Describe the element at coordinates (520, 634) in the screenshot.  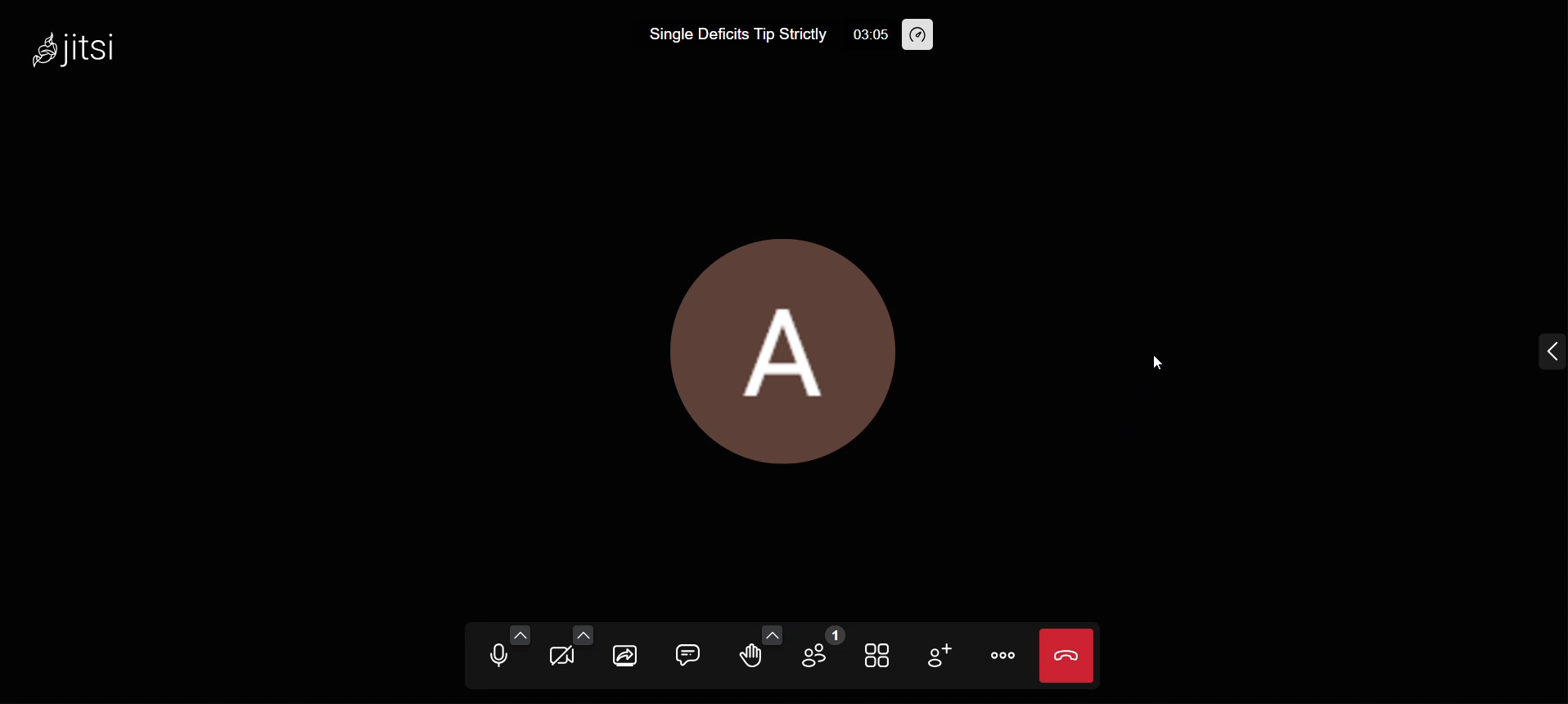
I see `audio setting` at that location.